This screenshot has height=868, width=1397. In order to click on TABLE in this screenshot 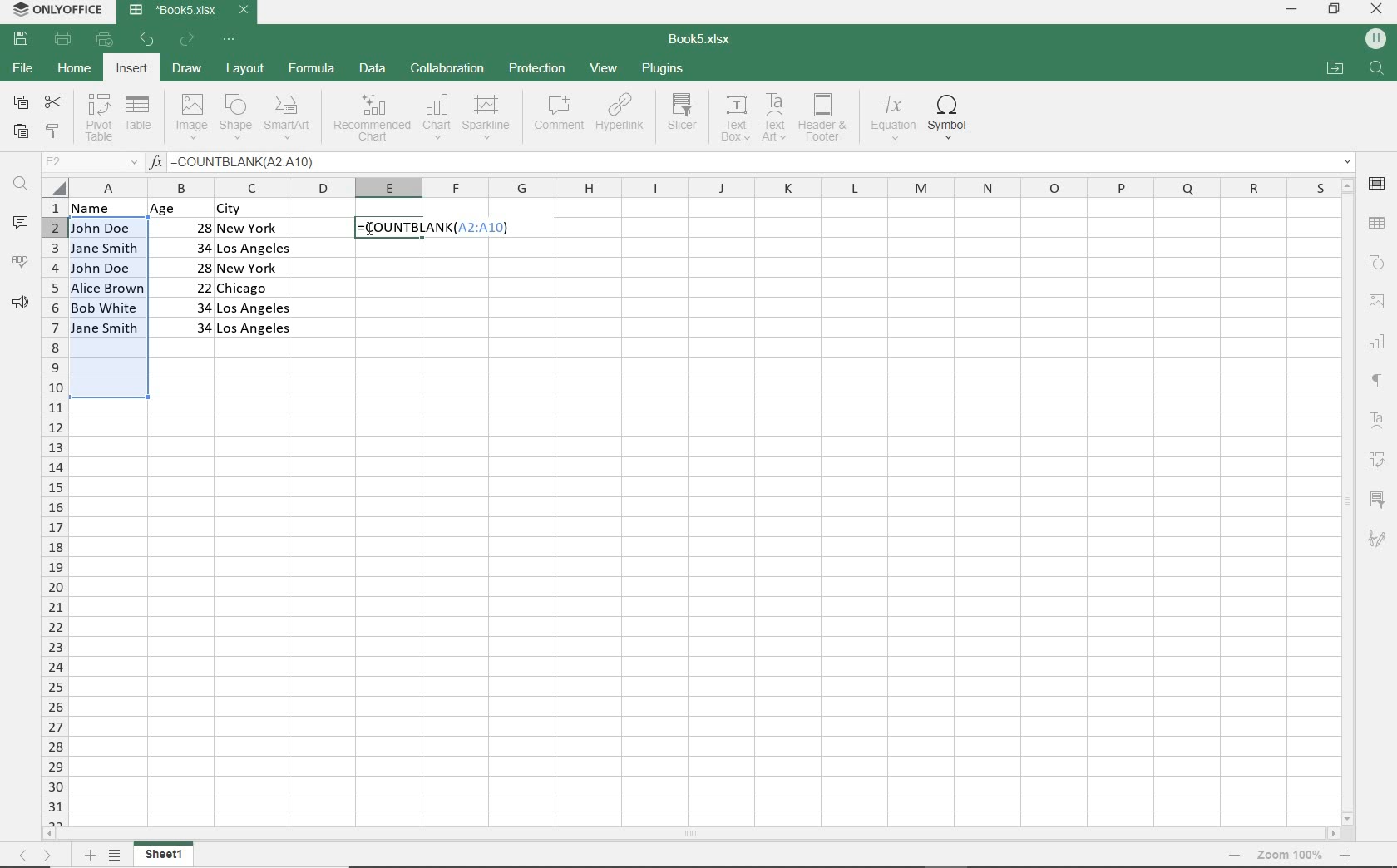, I will do `click(1378, 224)`.